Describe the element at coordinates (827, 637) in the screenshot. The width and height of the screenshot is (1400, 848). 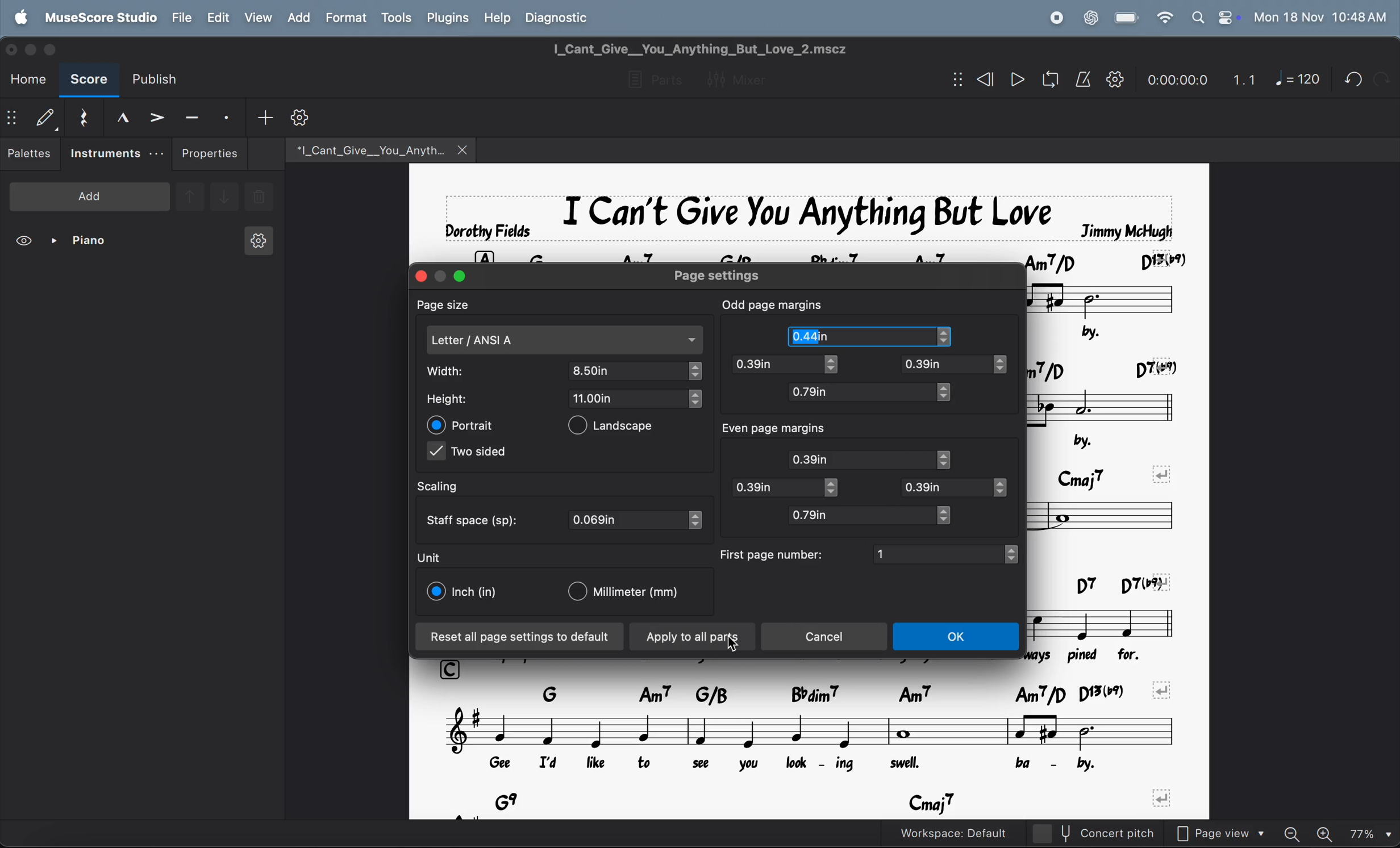
I see `cancel` at that location.